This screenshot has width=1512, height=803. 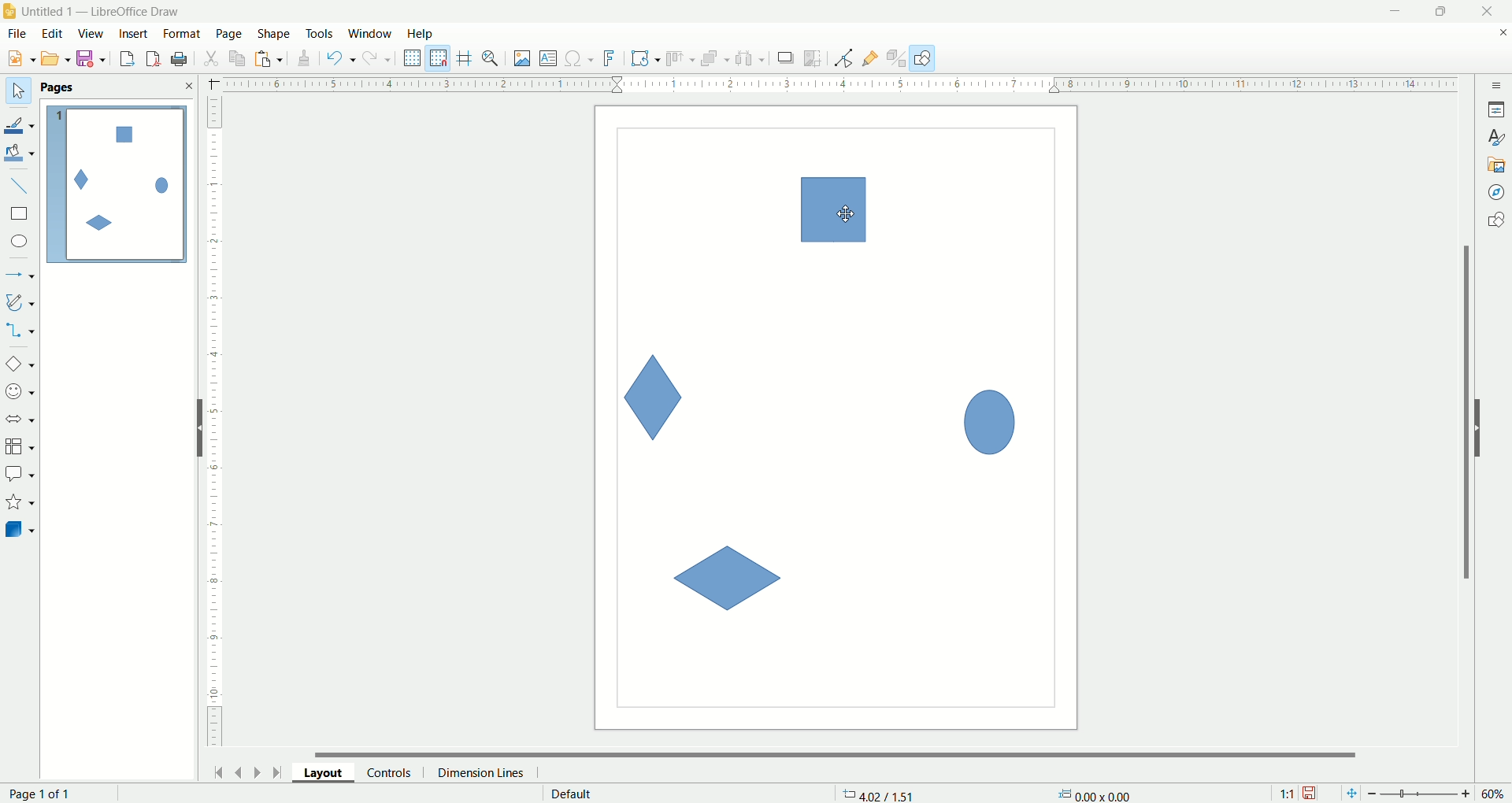 I want to click on basic shape, so click(x=19, y=363).